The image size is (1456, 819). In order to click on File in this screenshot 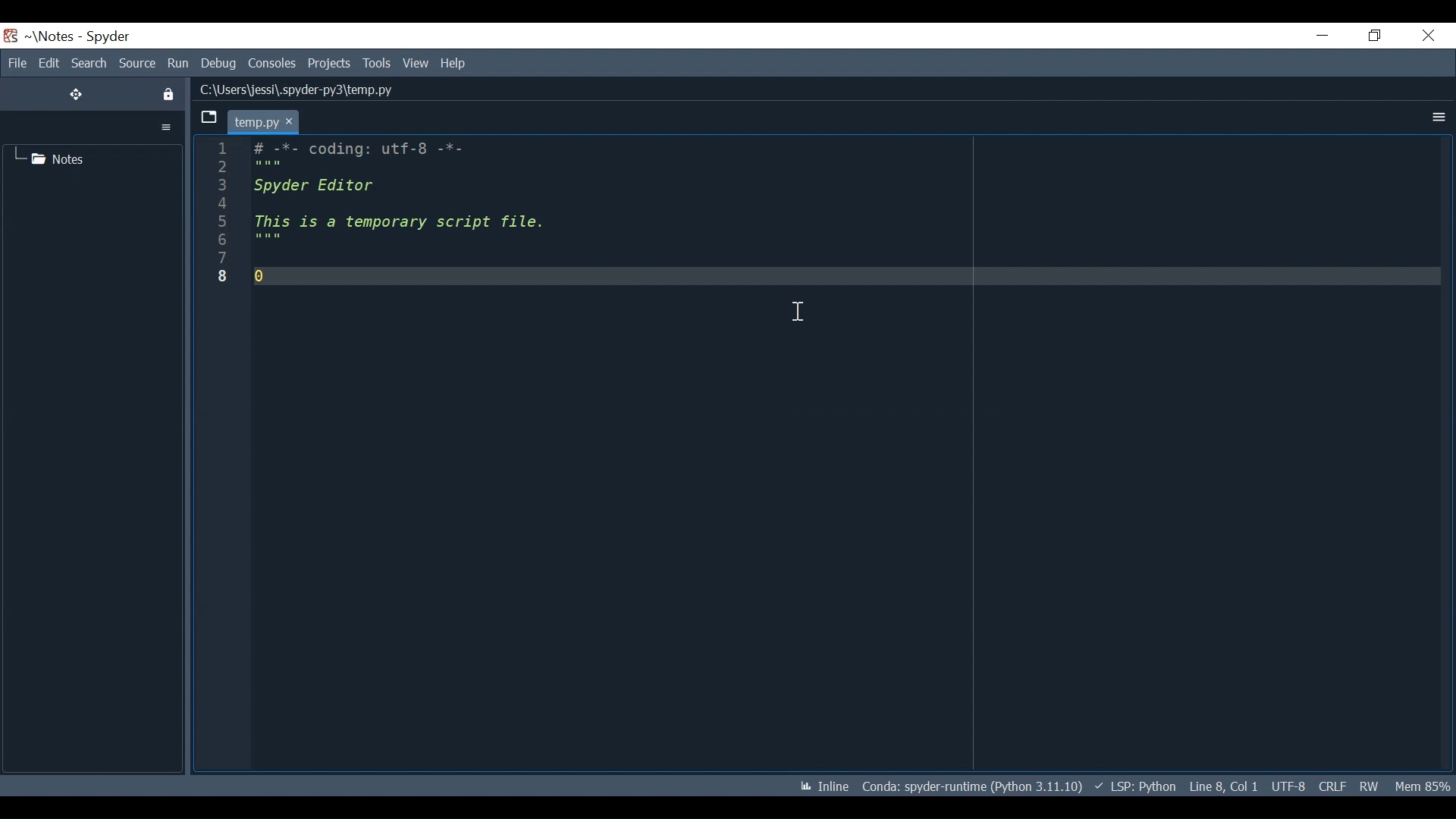, I will do `click(14, 63)`.